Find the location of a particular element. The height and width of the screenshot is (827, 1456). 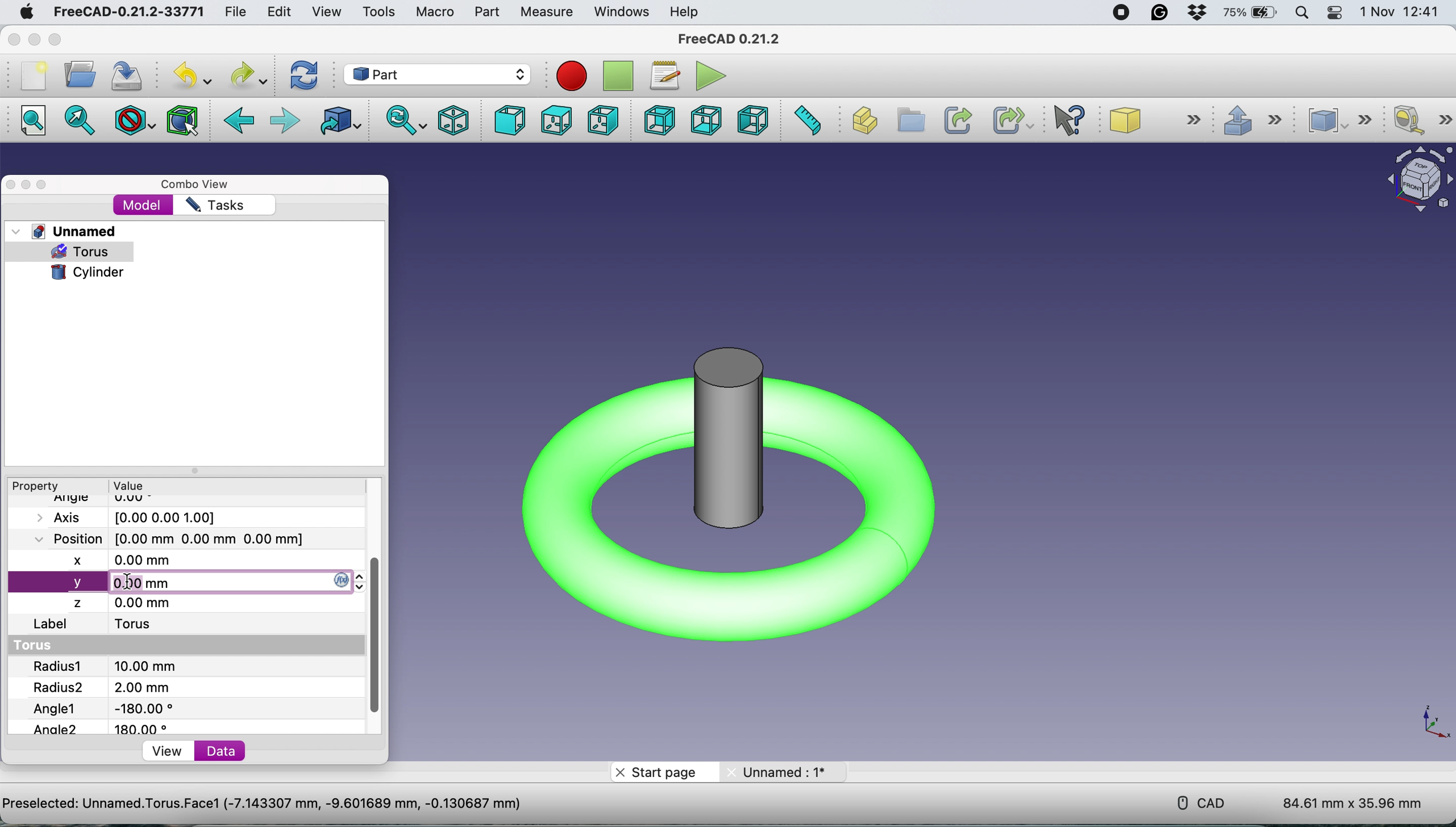

torus is located at coordinates (89, 252).